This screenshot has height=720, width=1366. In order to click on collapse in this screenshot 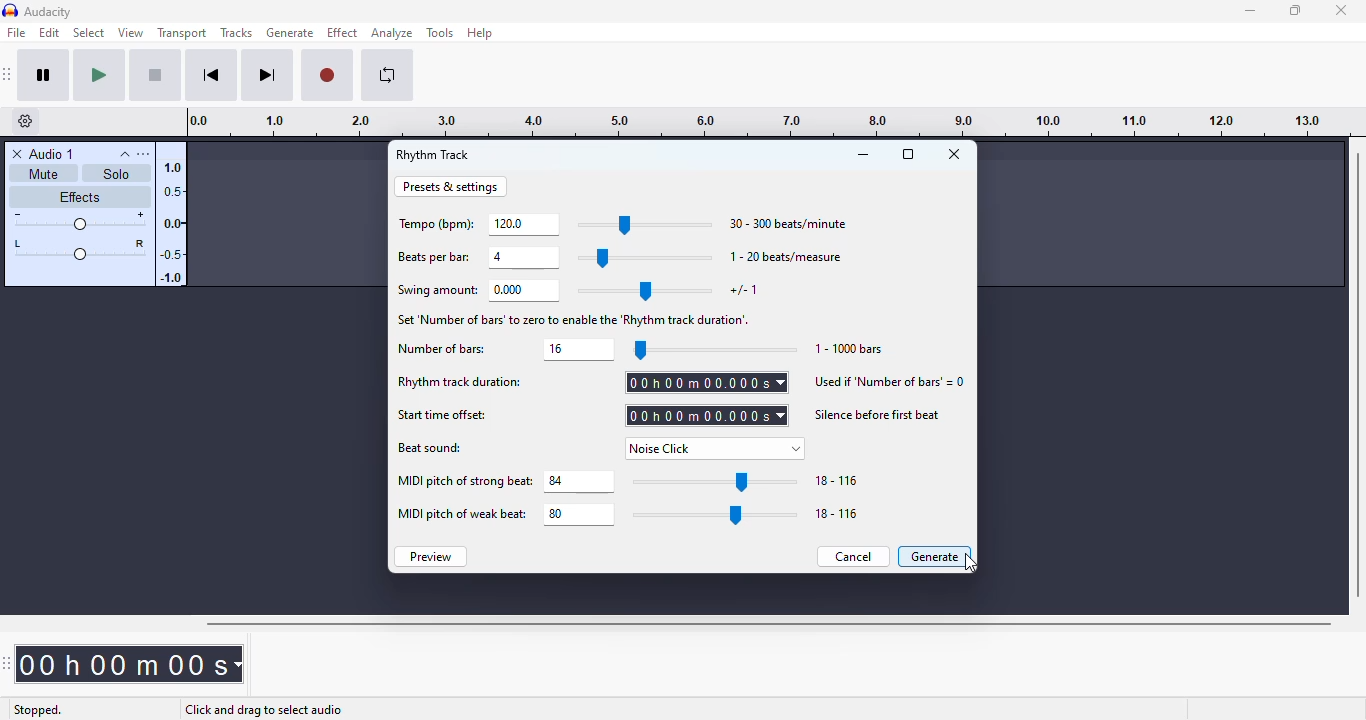, I will do `click(125, 154)`.